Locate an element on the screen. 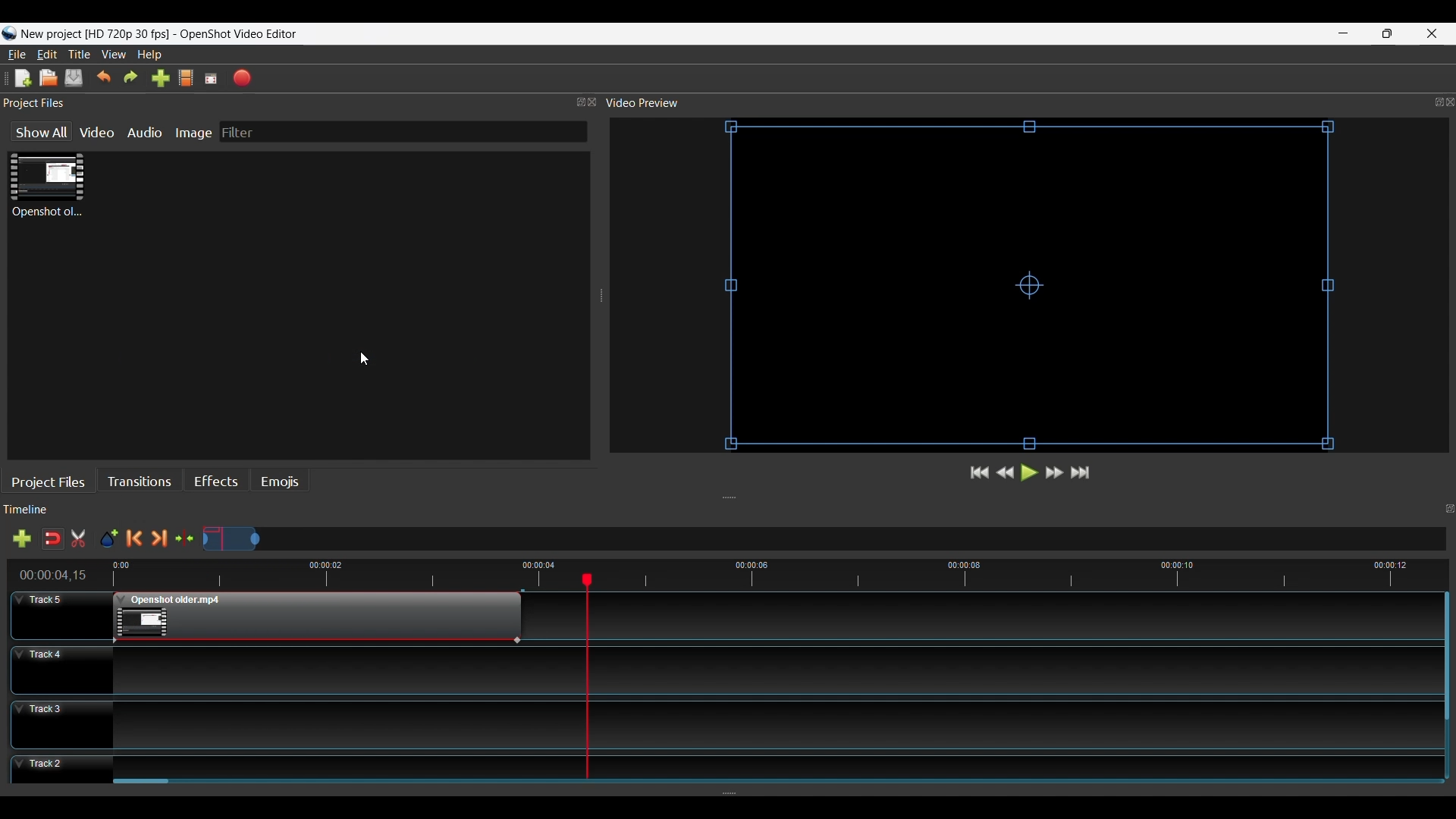  Fast Forward is located at coordinates (1055, 472).